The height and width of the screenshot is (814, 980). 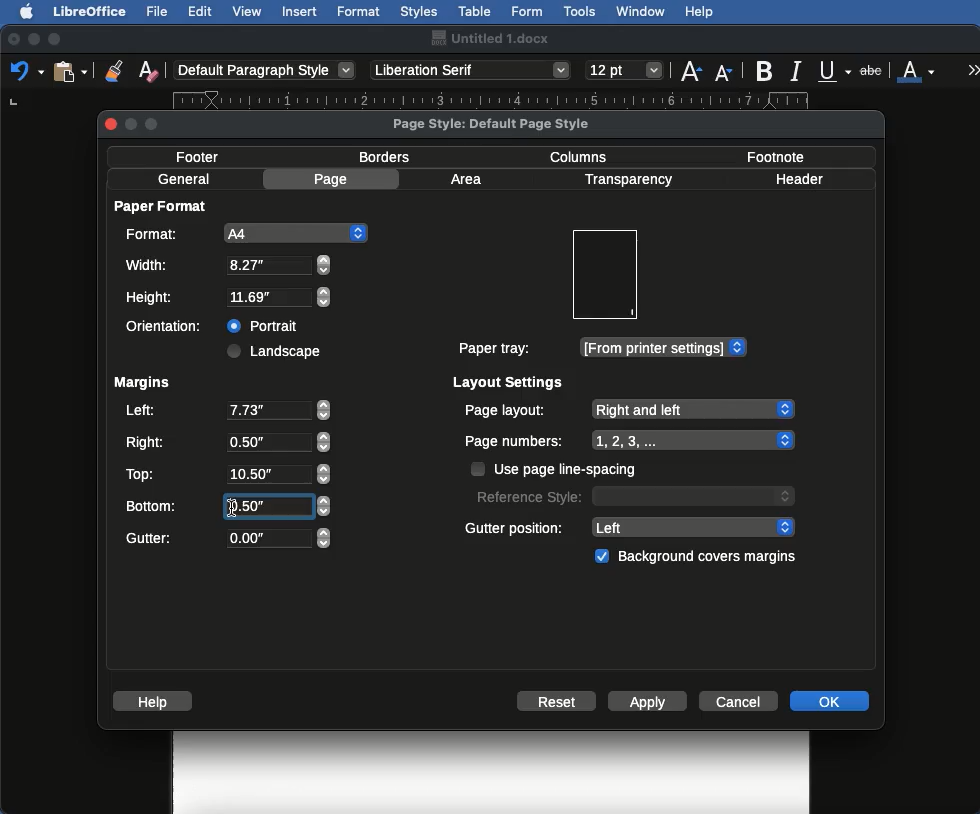 I want to click on Maximize, so click(x=56, y=39).